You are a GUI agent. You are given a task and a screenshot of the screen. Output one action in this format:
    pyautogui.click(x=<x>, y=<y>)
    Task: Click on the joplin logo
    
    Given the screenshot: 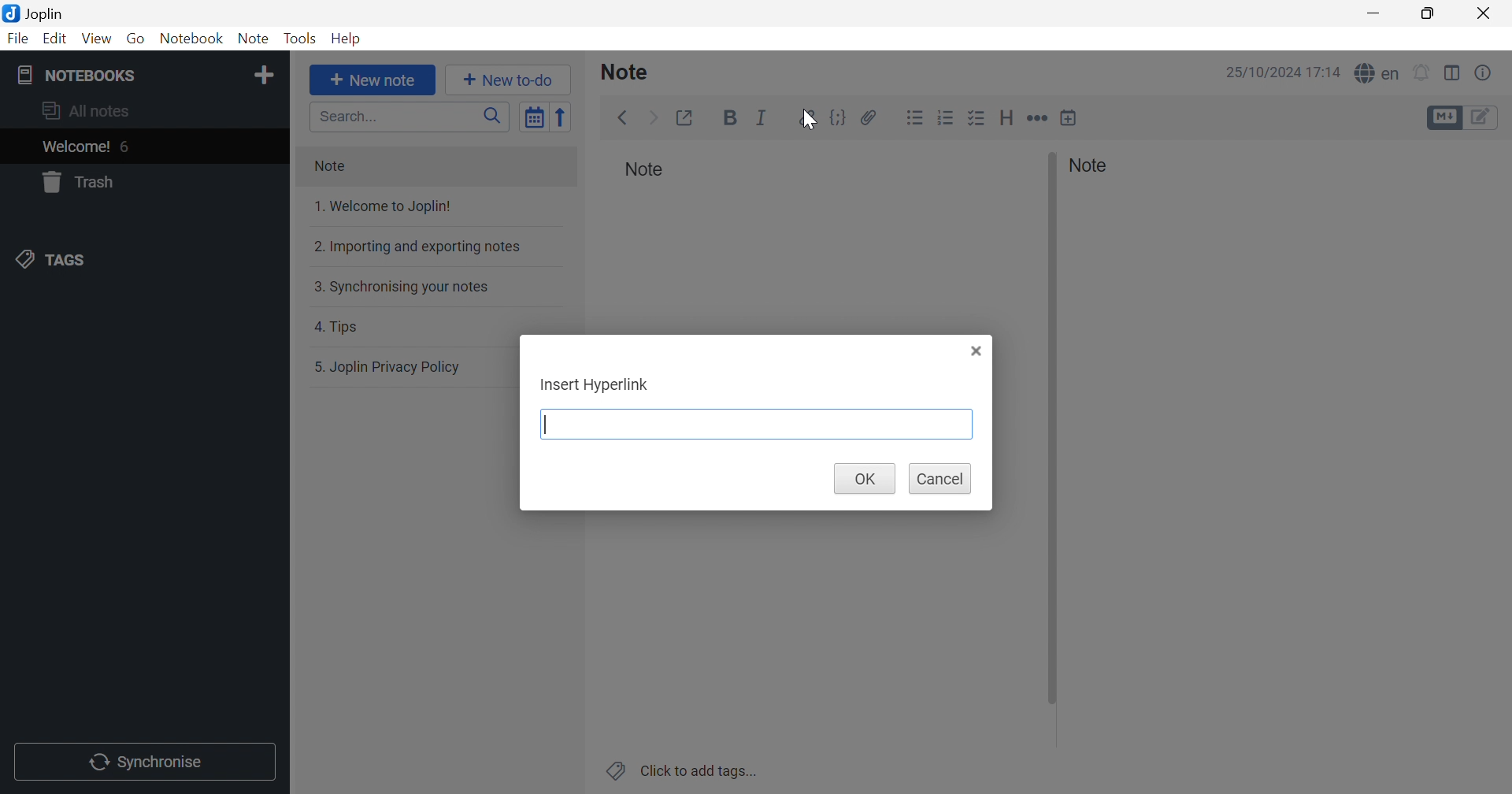 What is the action you would take?
    pyautogui.click(x=11, y=12)
    